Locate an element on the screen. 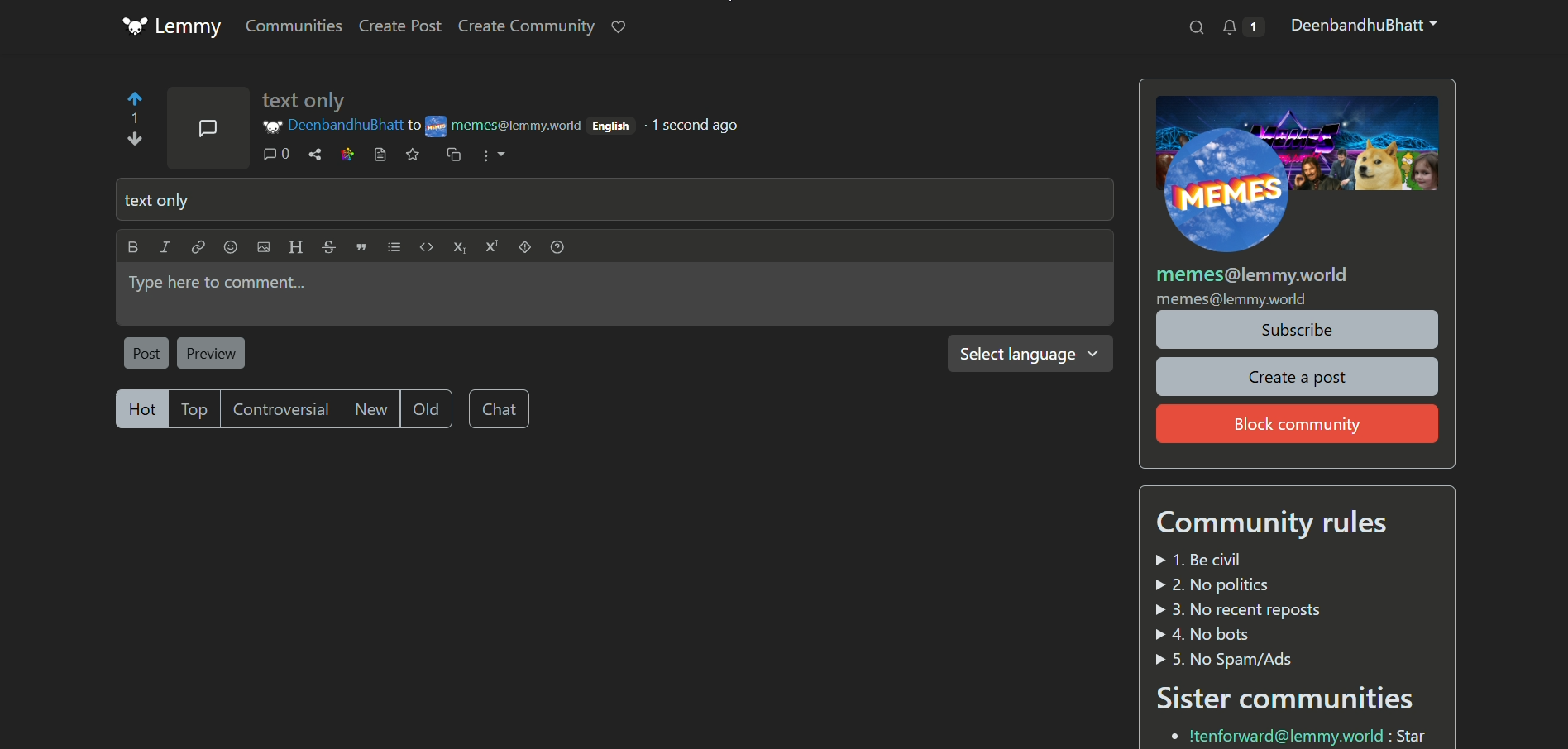 This screenshot has width=1568, height=749. text is located at coordinates (1298, 735).